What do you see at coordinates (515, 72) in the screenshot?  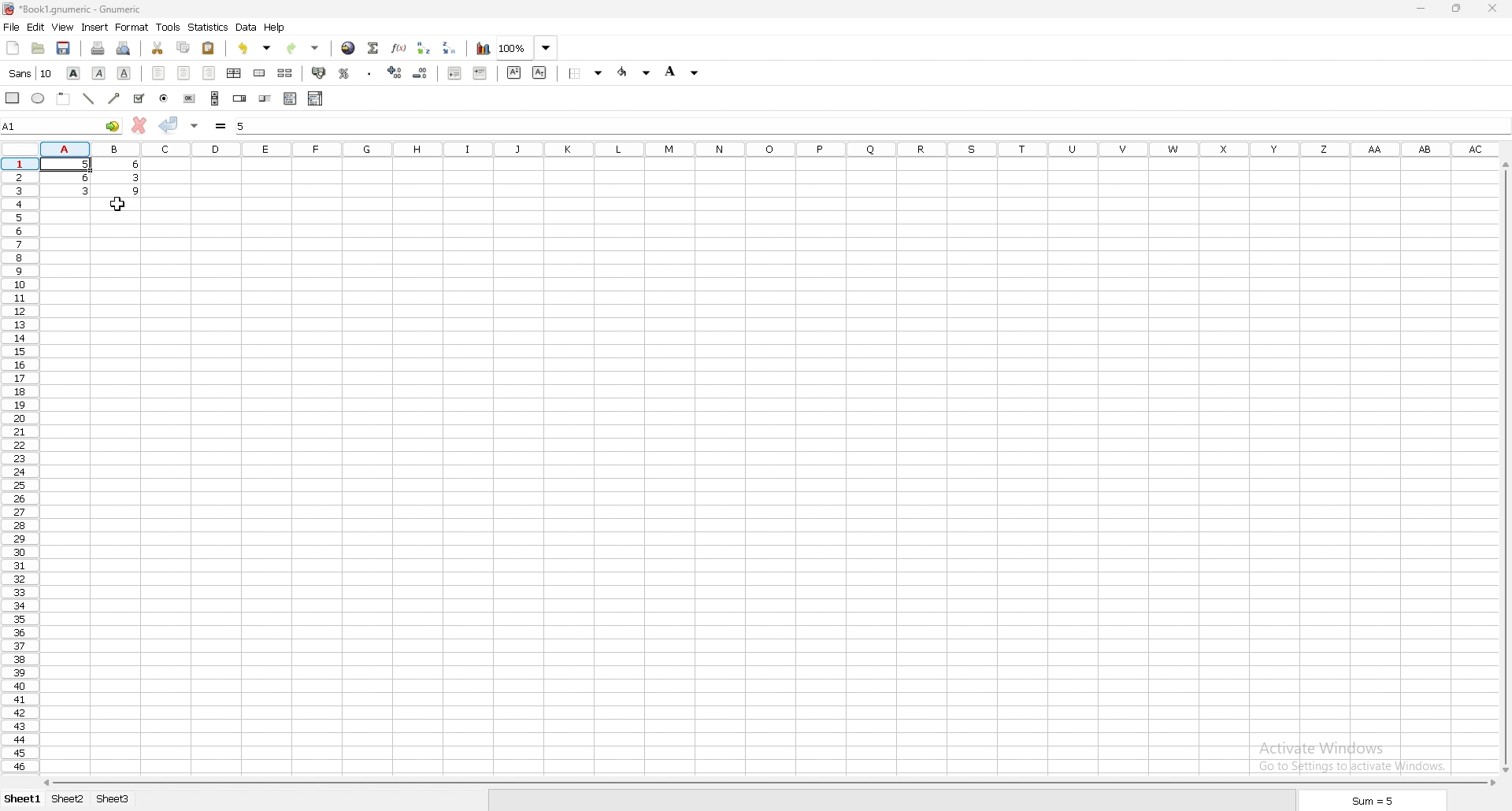 I see `superscript` at bounding box center [515, 72].